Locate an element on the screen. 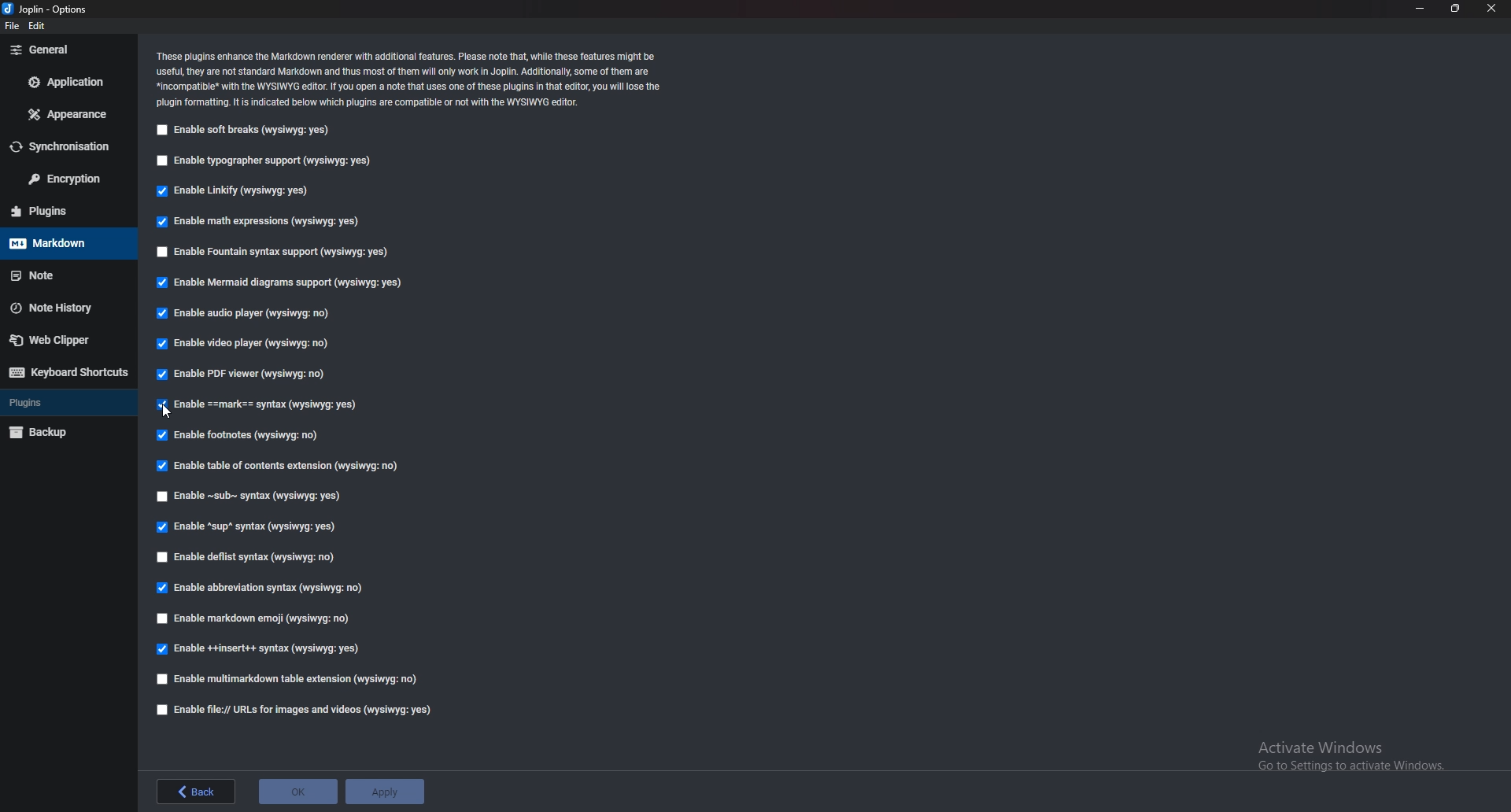  ‘These plugins enhance the Markdown renderer with additional features. Please note that, while these features might be
useful, they are not standard Markdown and thus most of them will only work in Joplin. Additionally, some of them are
*incompatible* with the WYSIWYG editor. If You open a note that uses one of these plugins in that editor, you wil lose the
plugin formatting. It is indicated below which plugins are compatible of not with the WYSIWYG editor. is located at coordinates (424, 79).